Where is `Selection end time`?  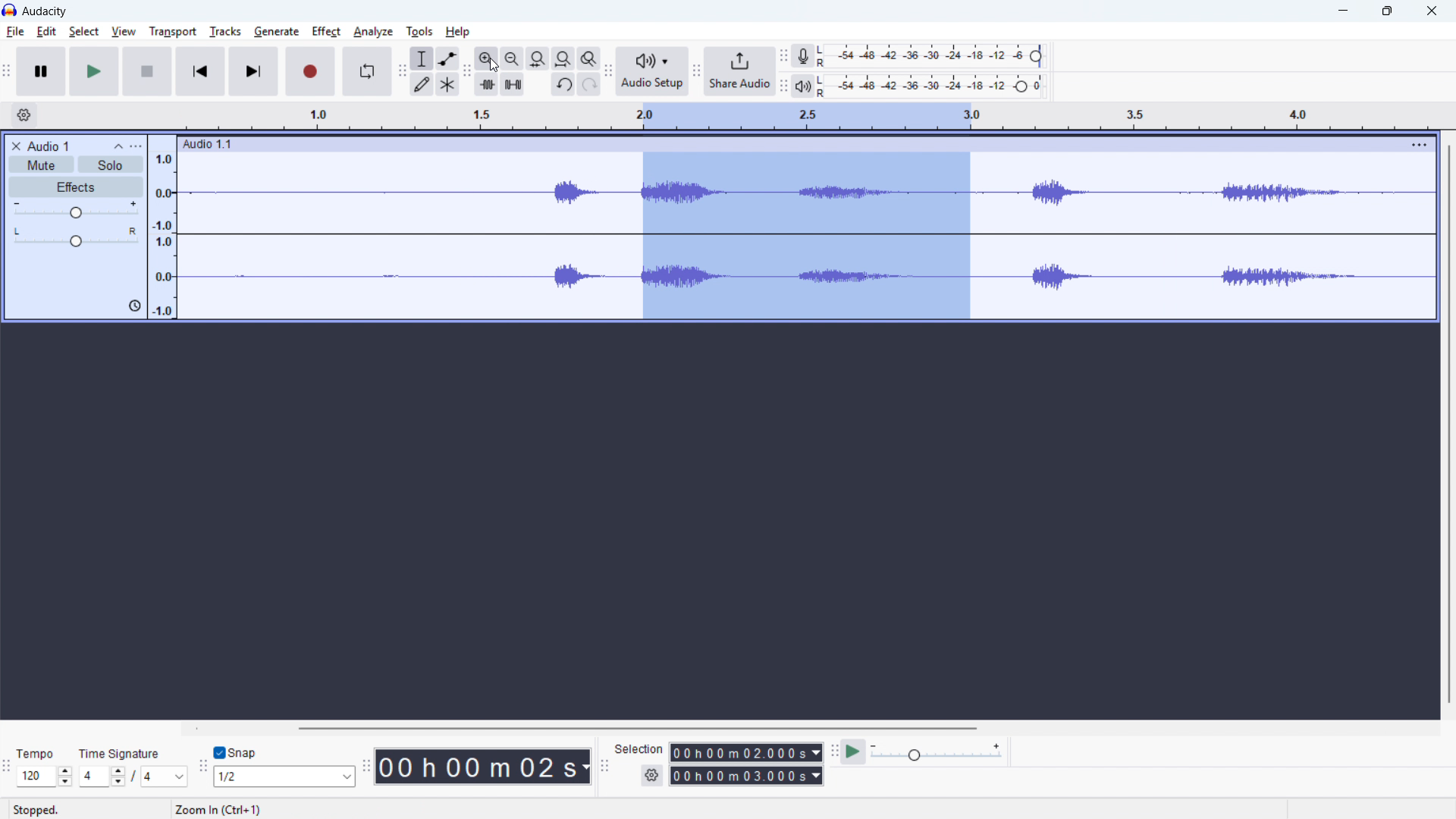 Selection end time is located at coordinates (748, 776).